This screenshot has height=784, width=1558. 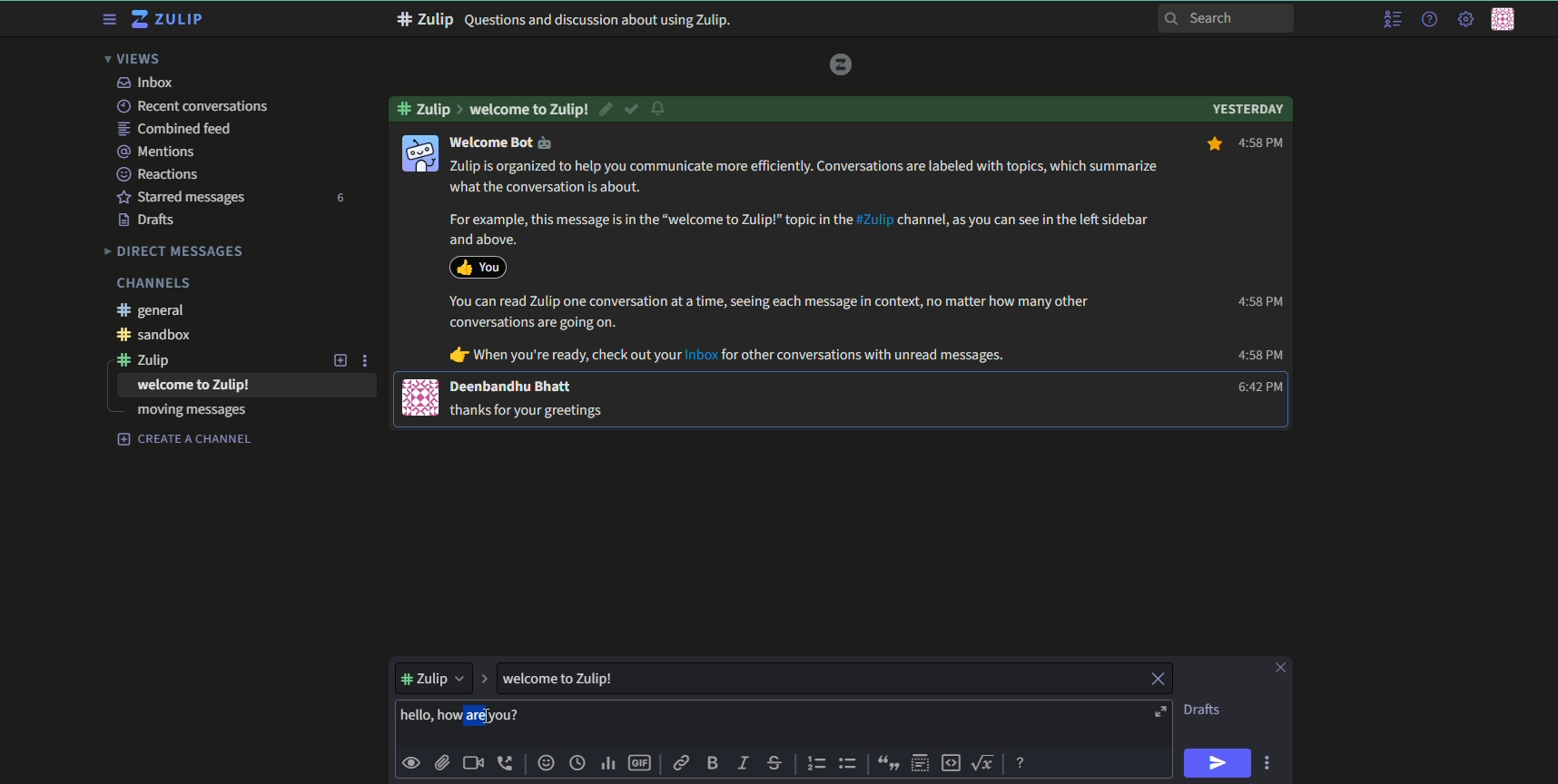 What do you see at coordinates (138, 59) in the screenshot?
I see `views` at bounding box center [138, 59].